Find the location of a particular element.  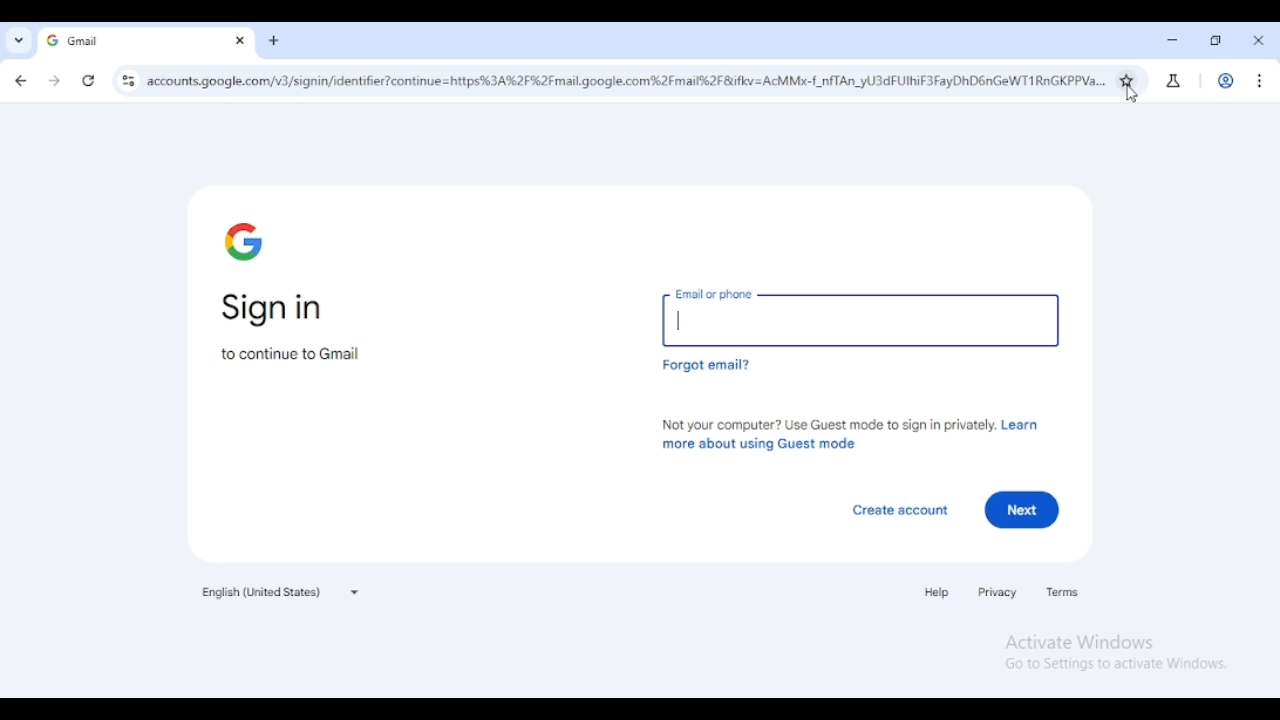

search tabs is located at coordinates (18, 41).